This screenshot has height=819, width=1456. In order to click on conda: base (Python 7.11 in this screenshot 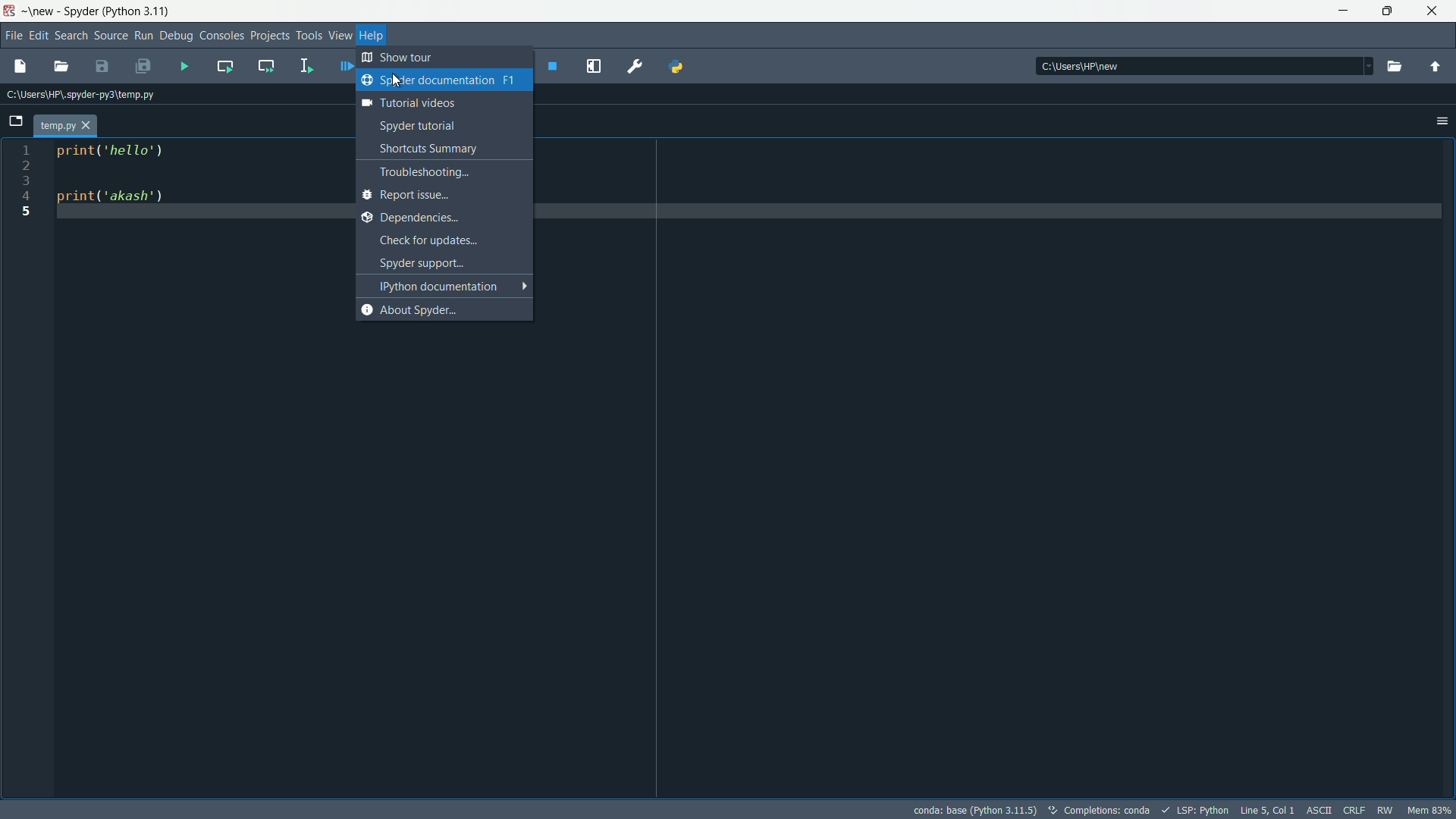, I will do `click(973, 810)`.